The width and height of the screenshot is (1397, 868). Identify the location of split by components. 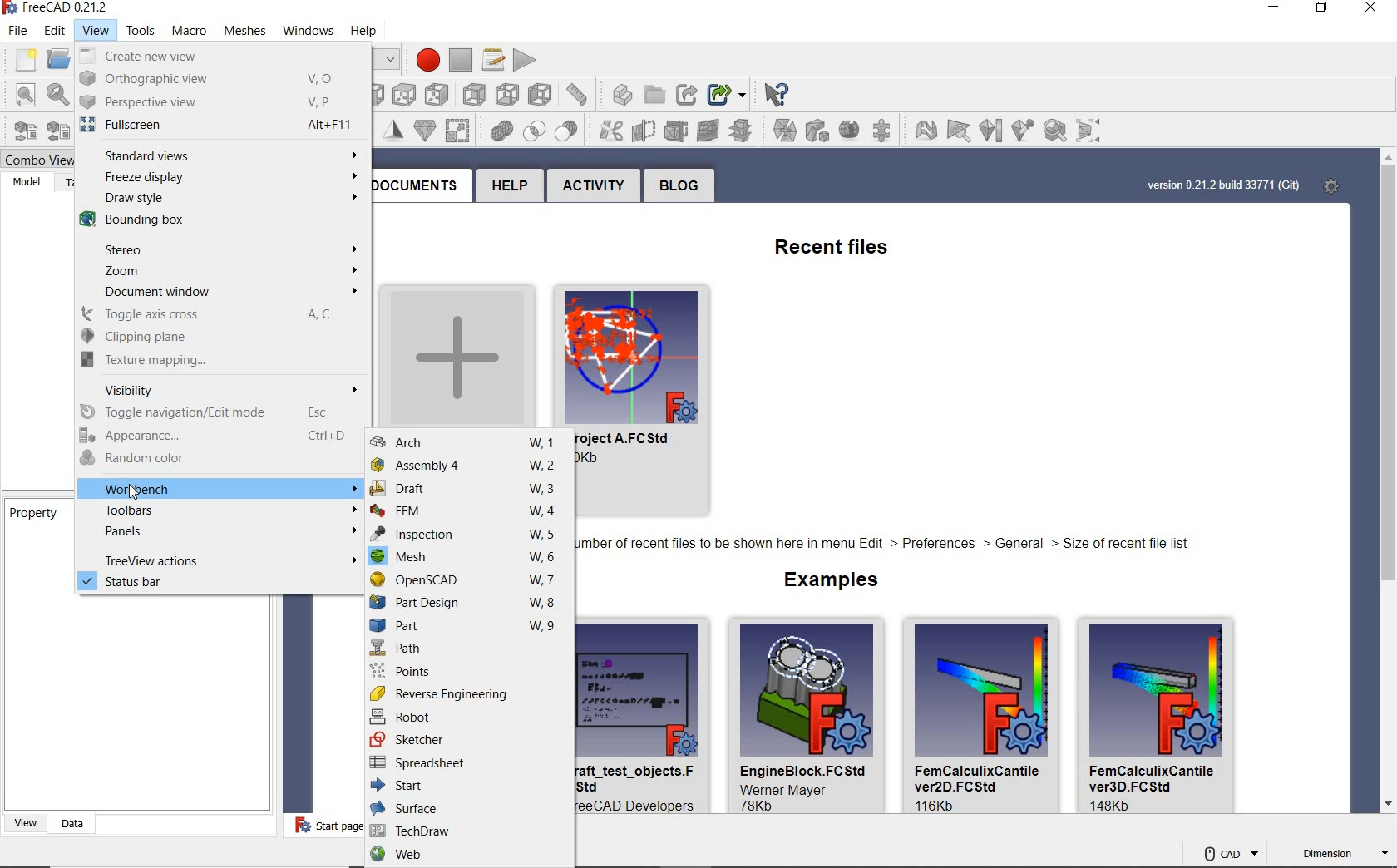
(785, 130).